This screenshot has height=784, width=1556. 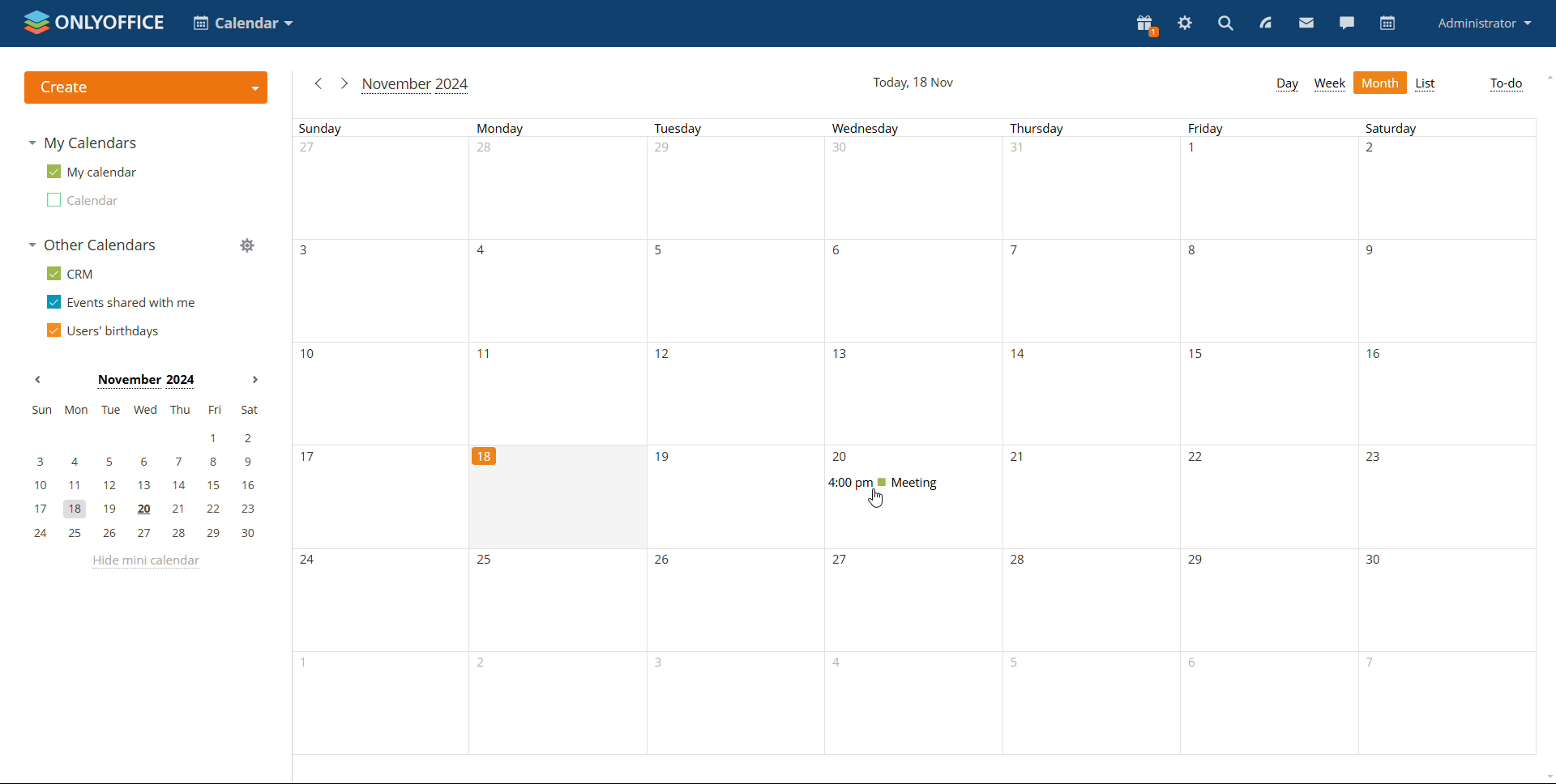 I want to click on cursor, so click(x=876, y=499).